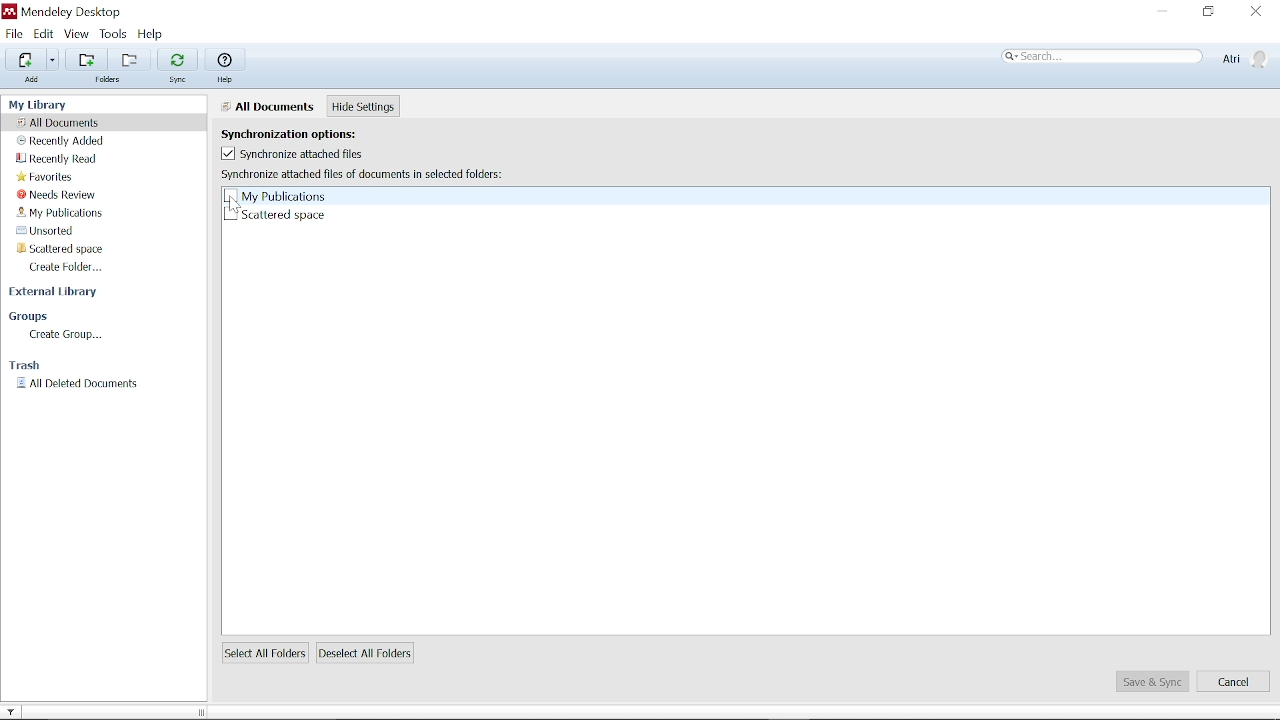 Image resolution: width=1280 pixels, height=720 pixels. Describe the element at coordinates (1243, 58) in the screenshot. I see `Profile` at that location.